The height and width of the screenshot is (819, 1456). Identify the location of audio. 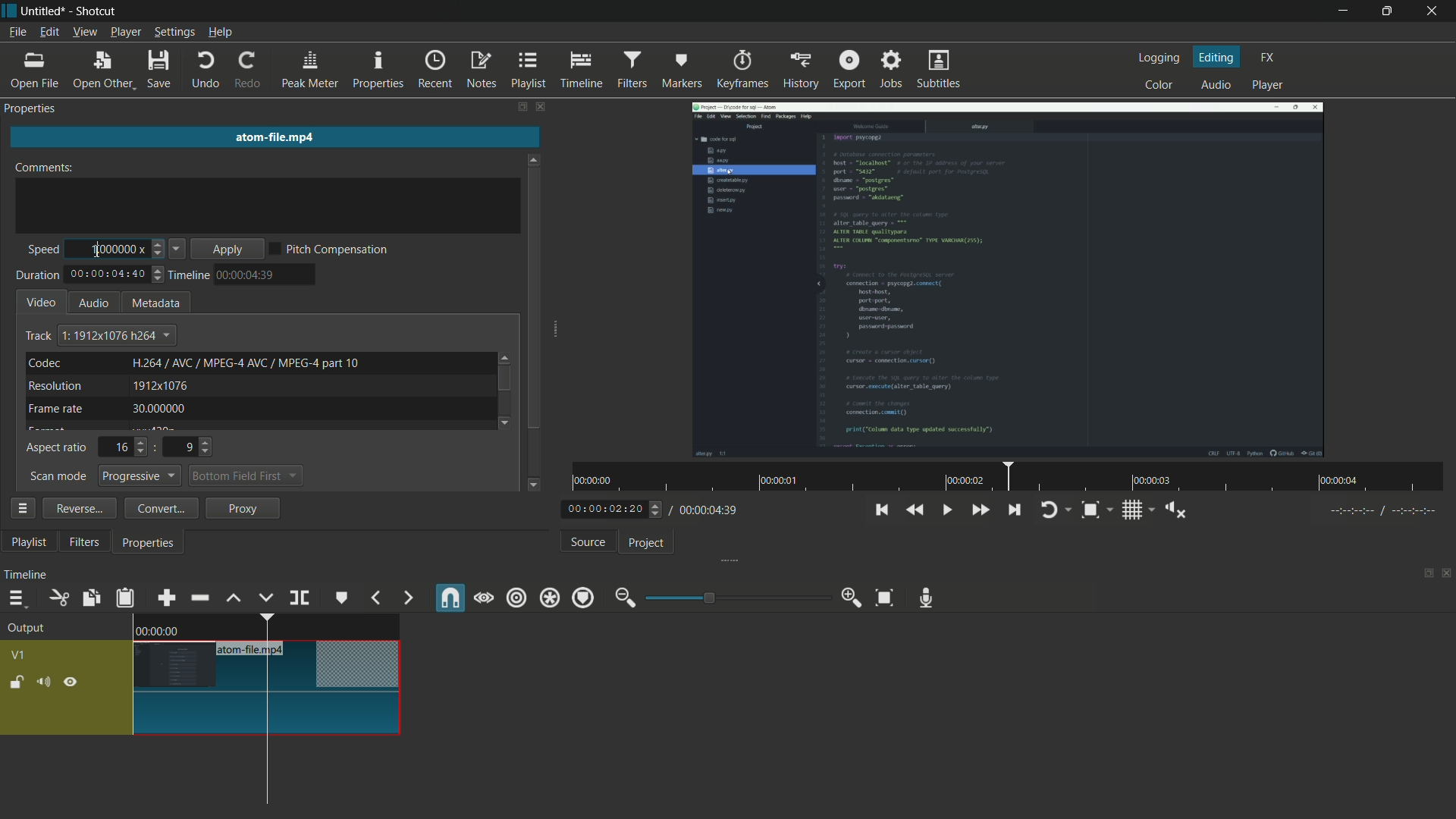
(93, 303).